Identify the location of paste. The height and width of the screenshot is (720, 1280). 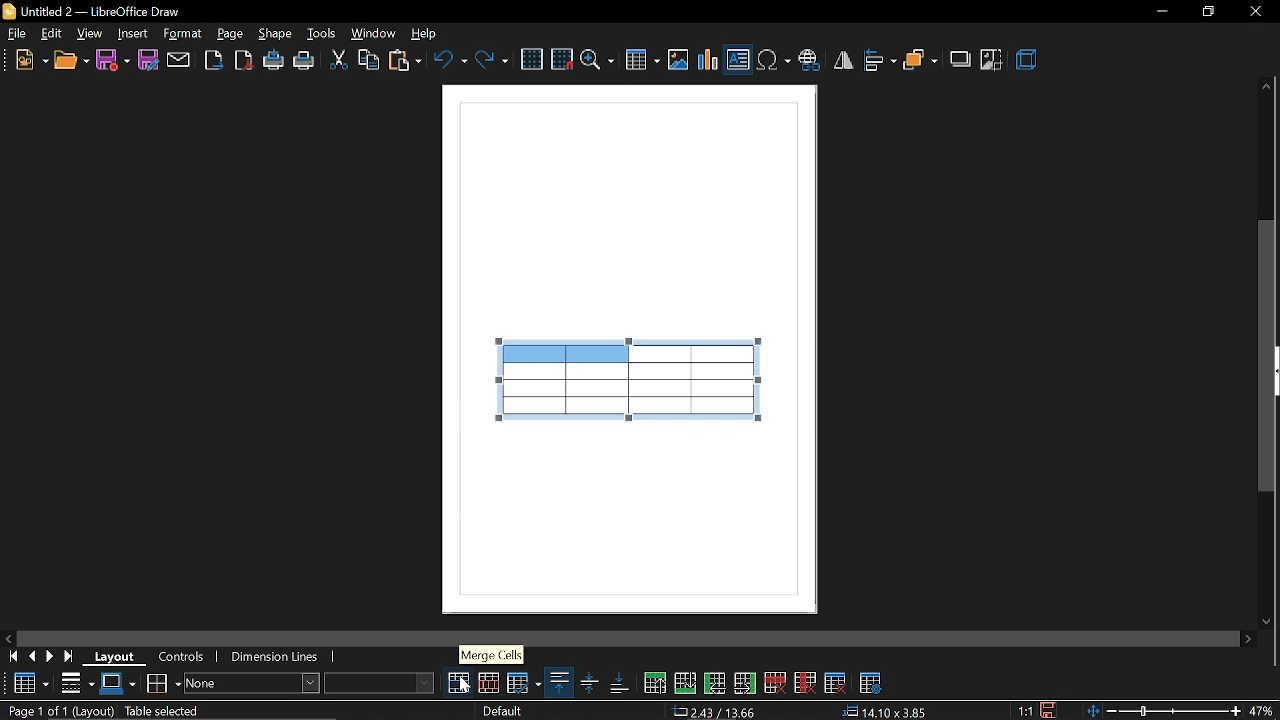
(406, 60).